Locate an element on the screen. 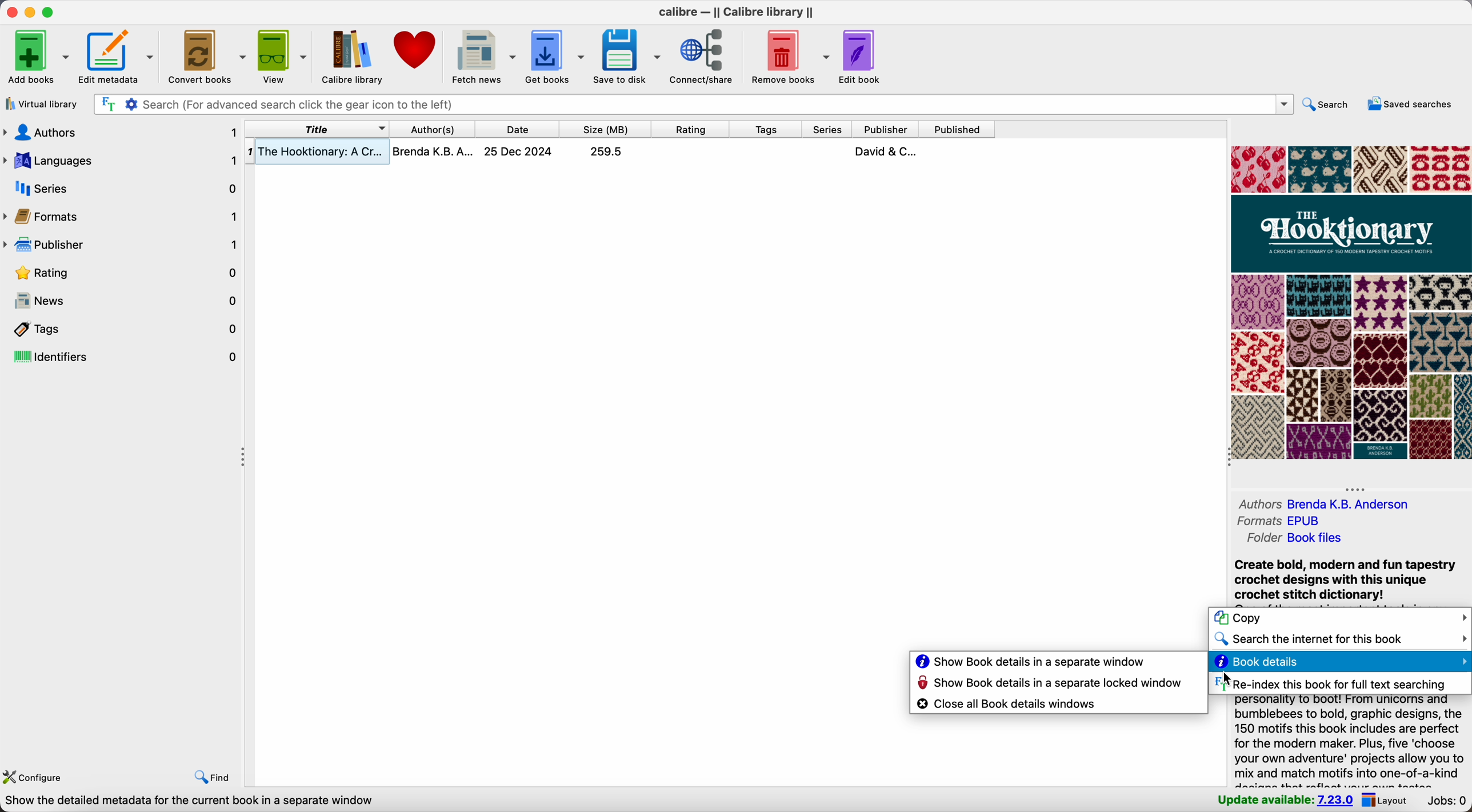 The height and width of the screenshot is (812, 1472). series is located at coordinates (122, 187).